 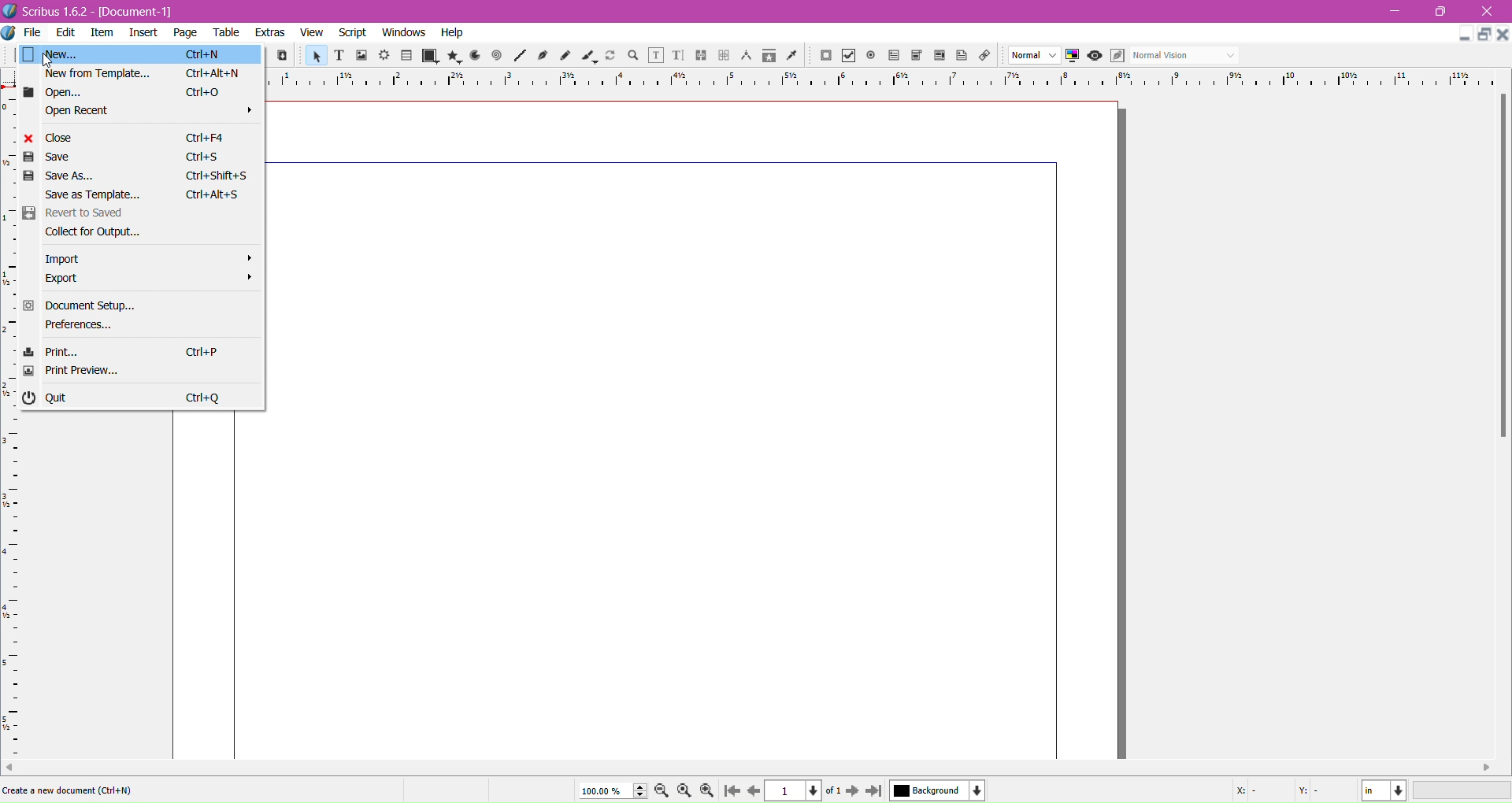 I want to click on icon, so click(x=745, y=56).